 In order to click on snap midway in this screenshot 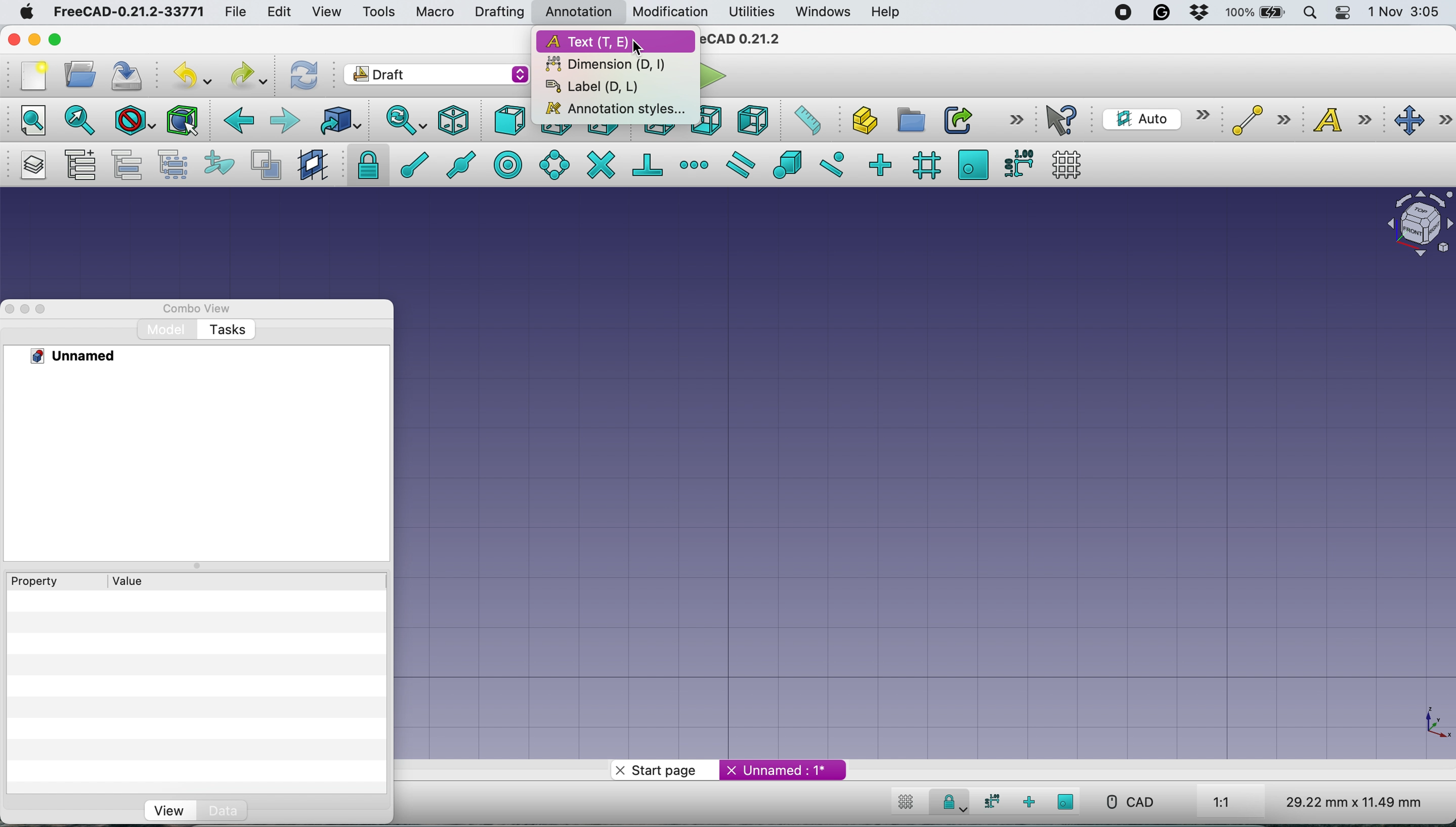, I will do `click(457, 166)`.